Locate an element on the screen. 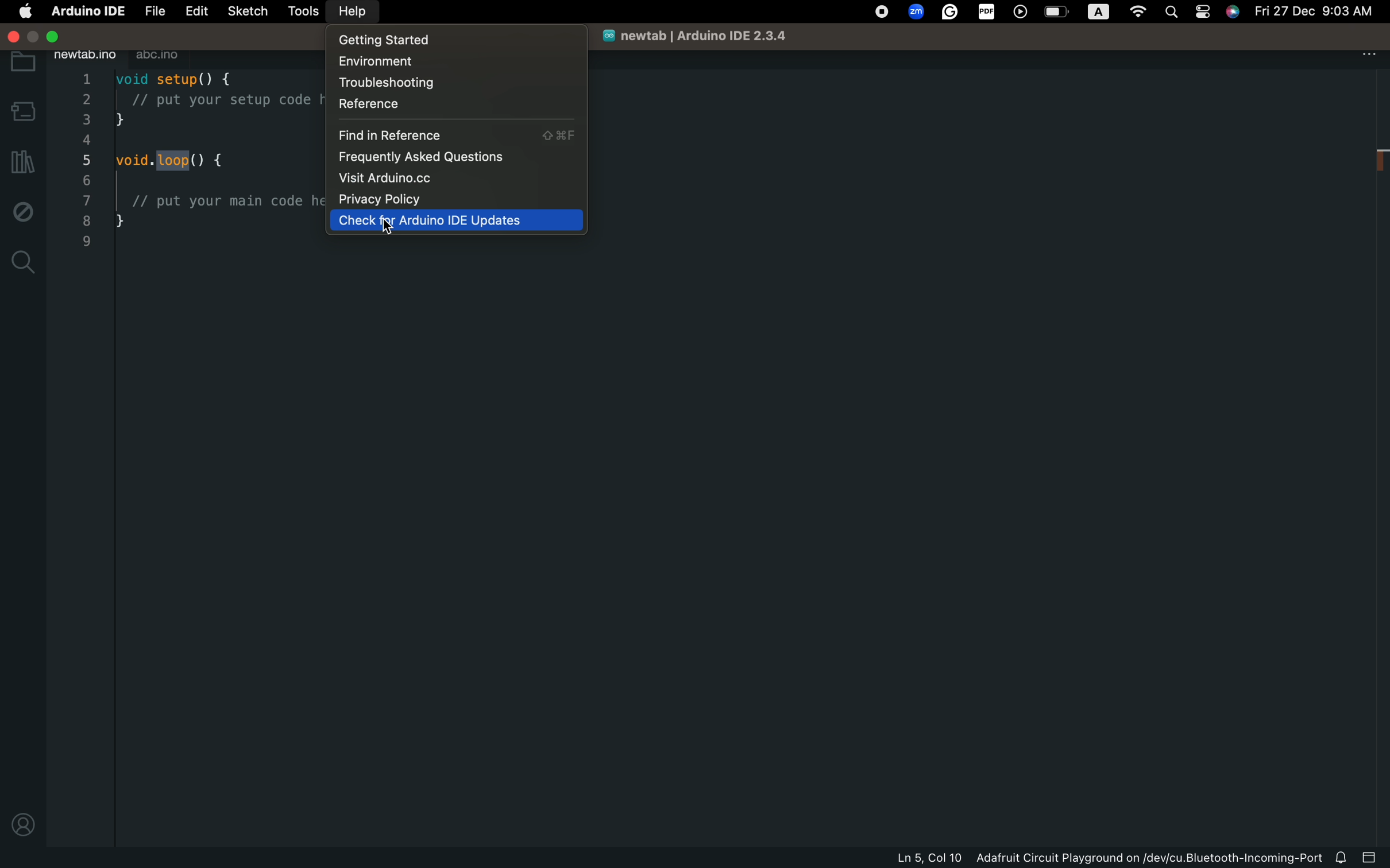  edit is located at coordinates (193, 11).